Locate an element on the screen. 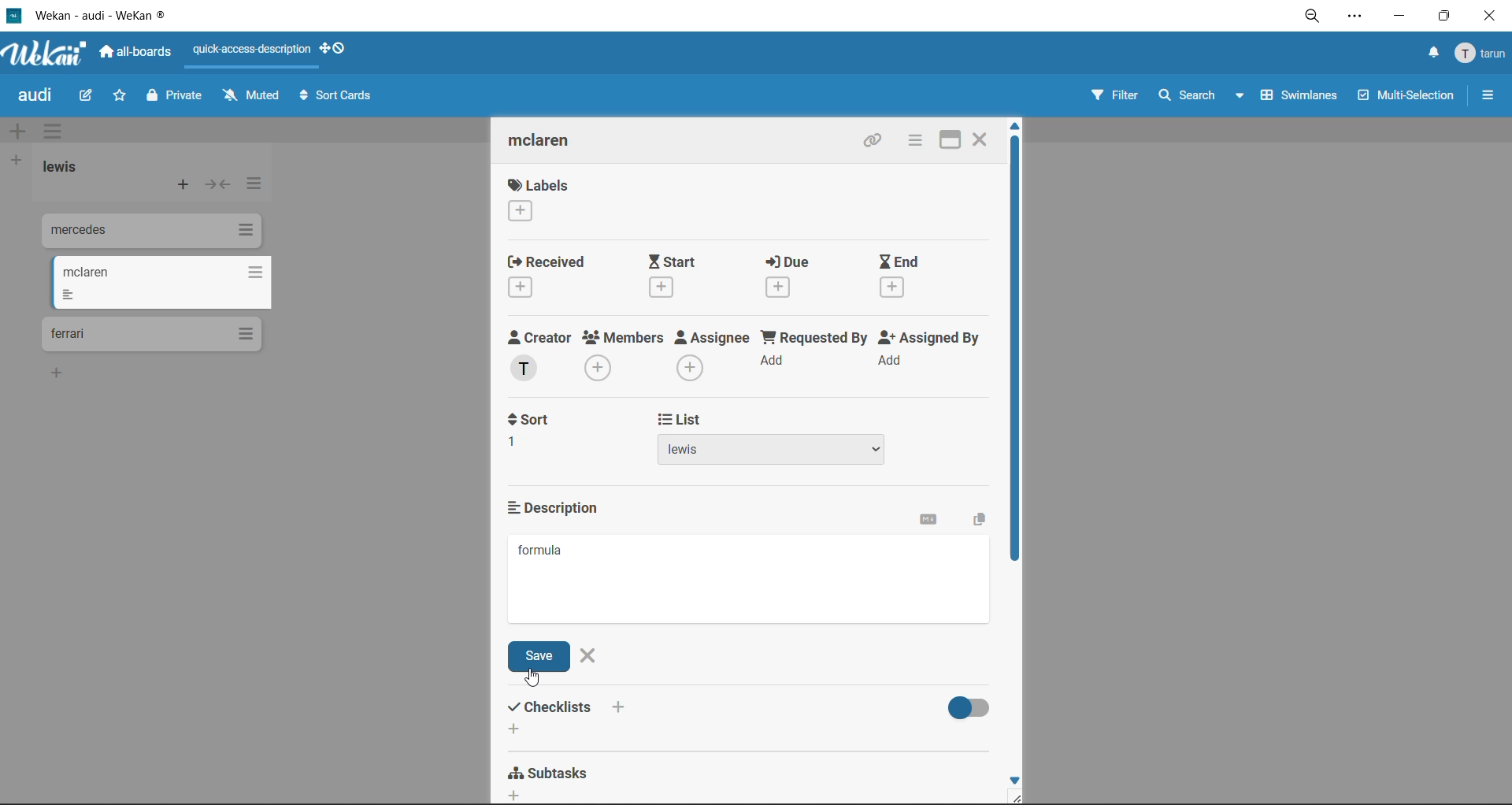  description is located at coordinates (561, 507).